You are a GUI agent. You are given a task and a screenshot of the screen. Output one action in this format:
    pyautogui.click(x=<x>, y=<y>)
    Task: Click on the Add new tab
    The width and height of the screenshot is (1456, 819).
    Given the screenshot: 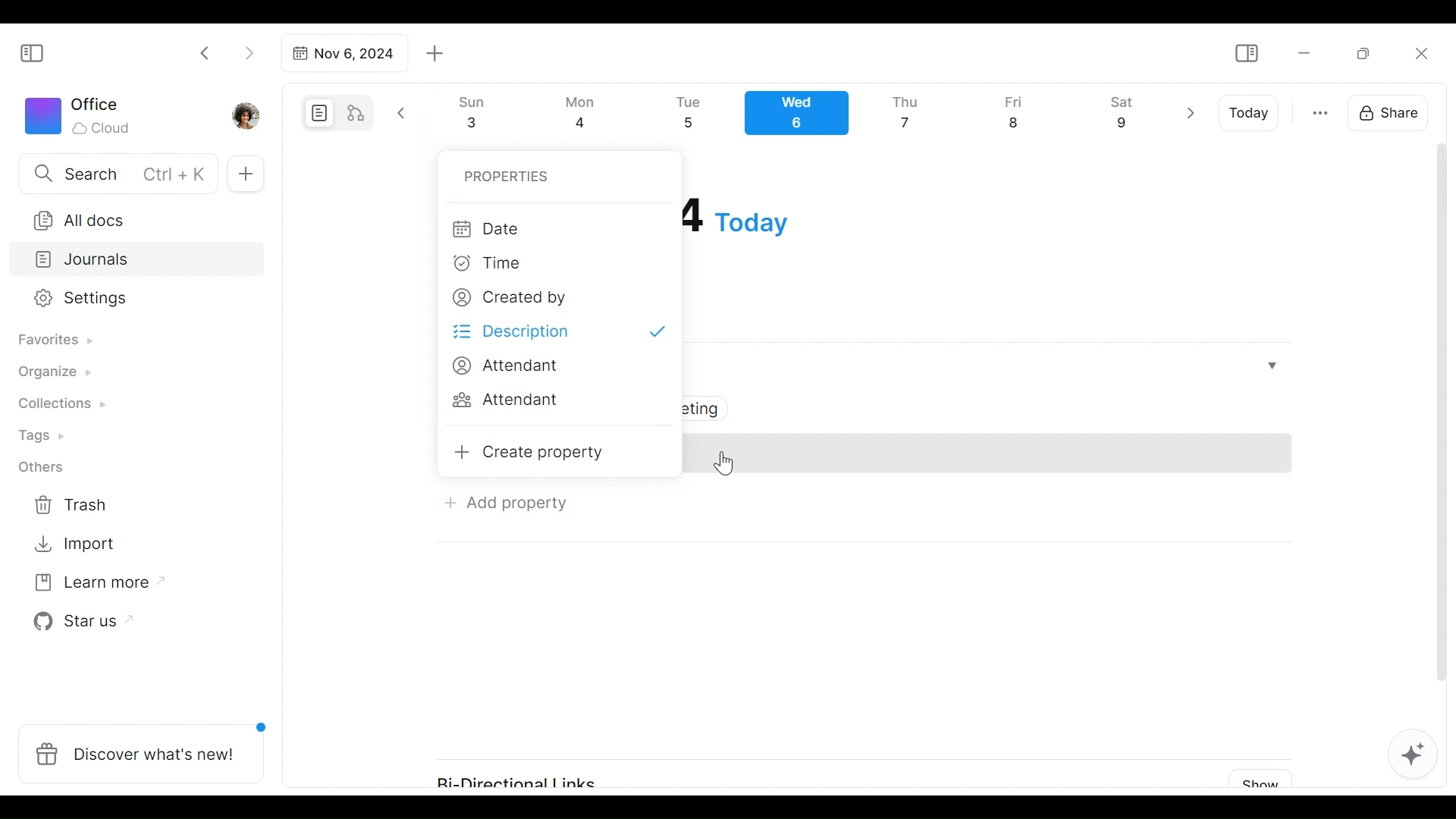 What is the action you would take?
    pyautogui.click(x=435, y=54)
    